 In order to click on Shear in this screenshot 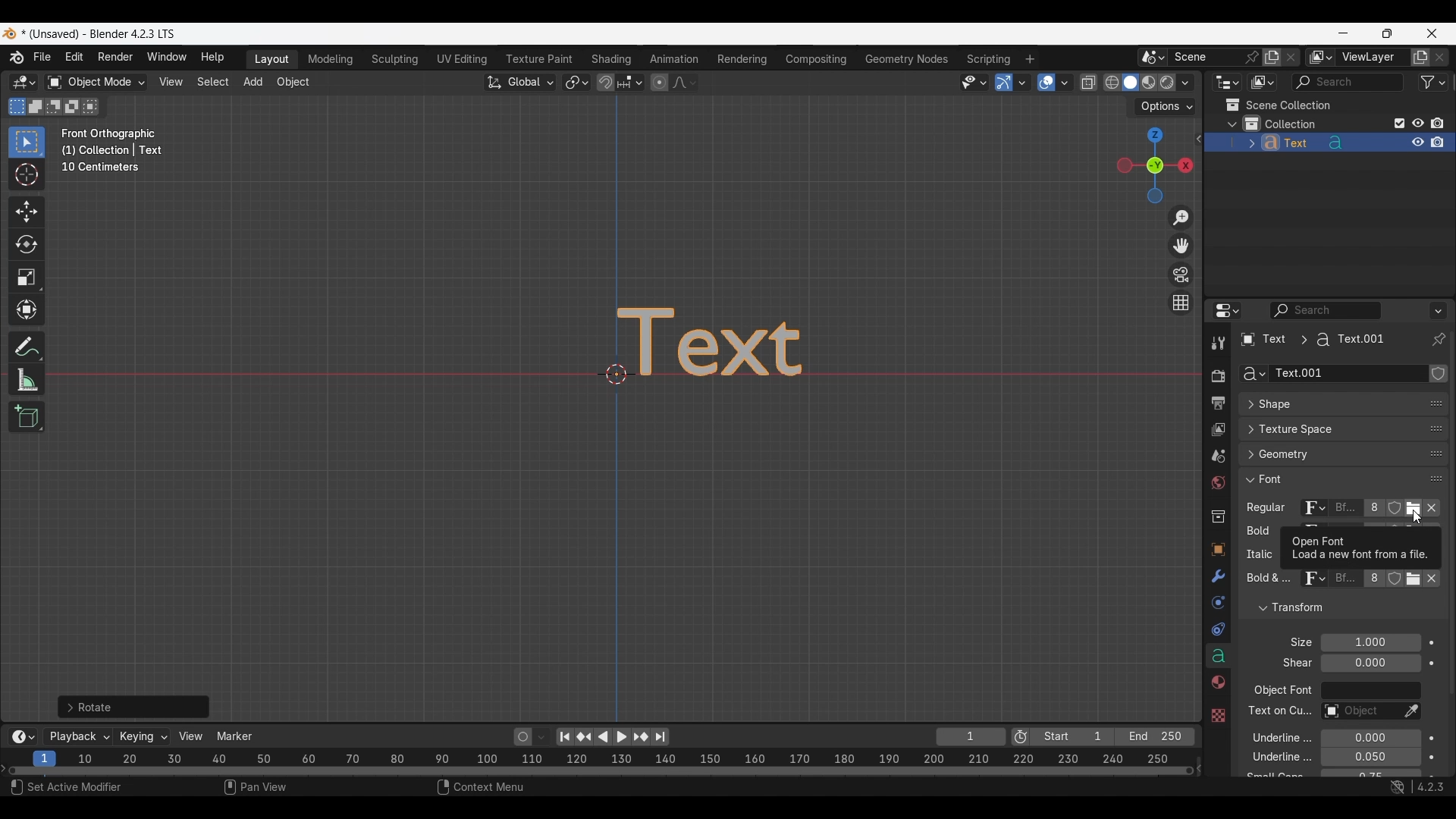, I will do `click(1370, 663)`.